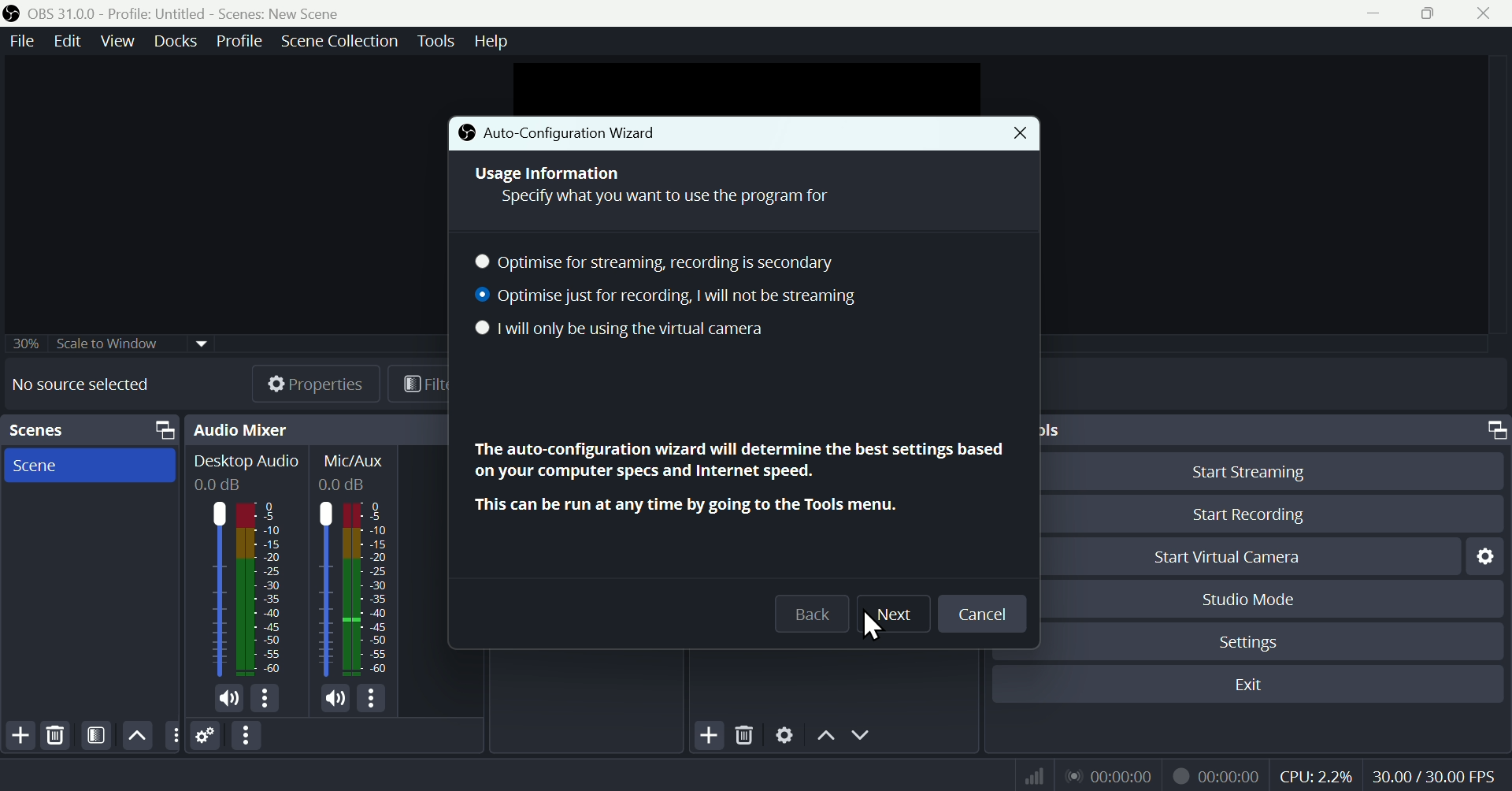 The width and height of the screenshot is (1512, 791). I want to click on Option, so click(248, 736).